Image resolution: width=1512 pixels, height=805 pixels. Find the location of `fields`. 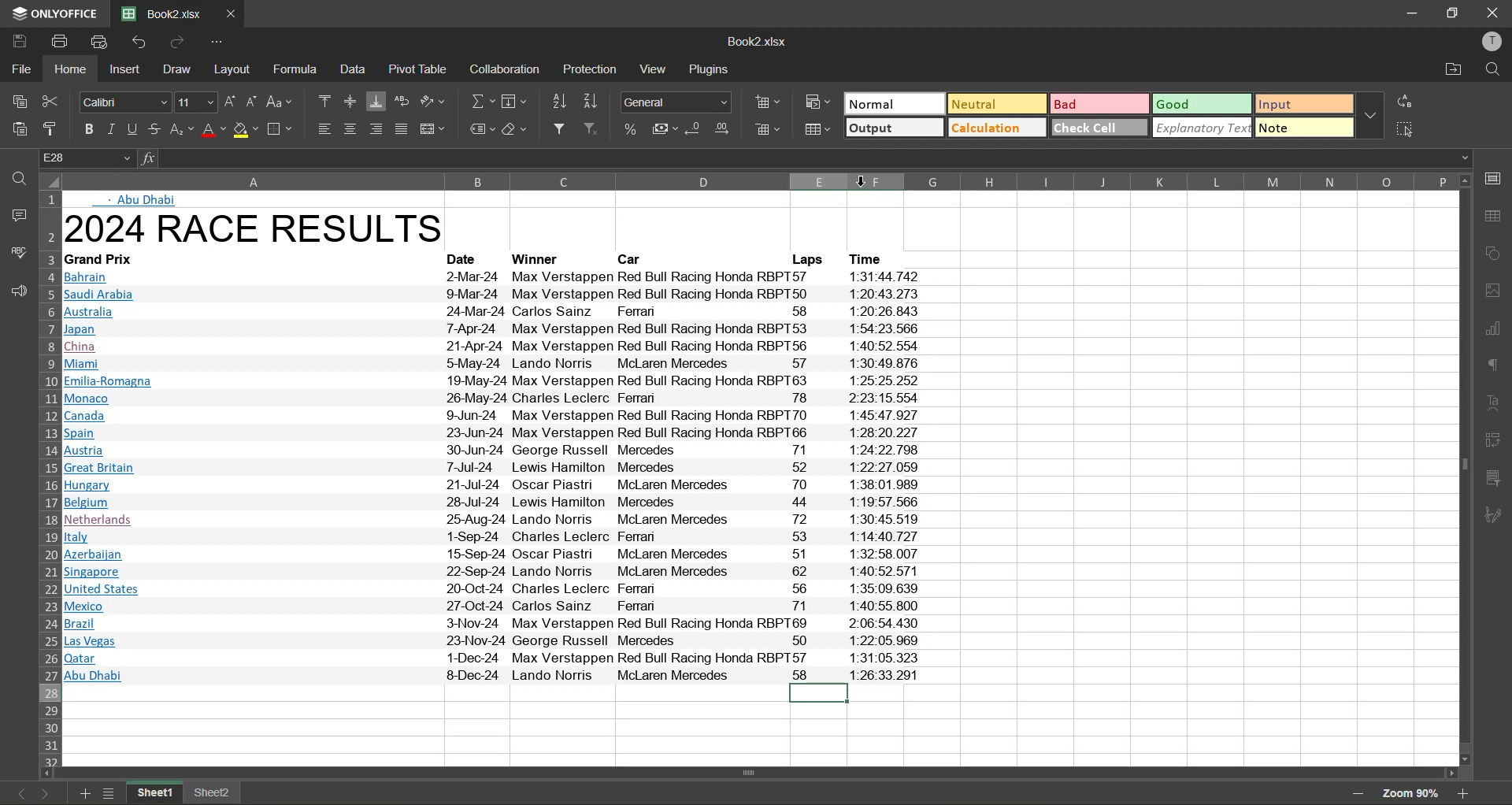

fields is located at coordinates (517, 101).